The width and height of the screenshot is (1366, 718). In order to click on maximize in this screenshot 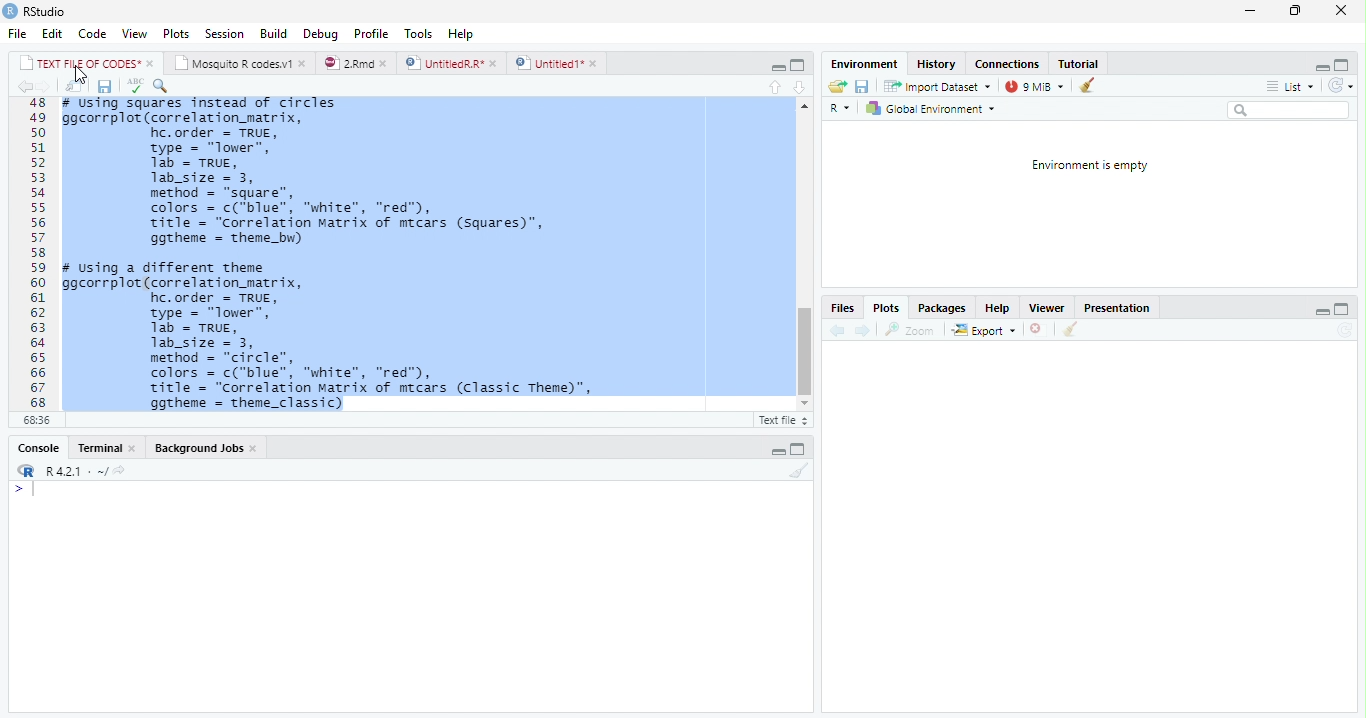, I will do `click(1295, 13)`.